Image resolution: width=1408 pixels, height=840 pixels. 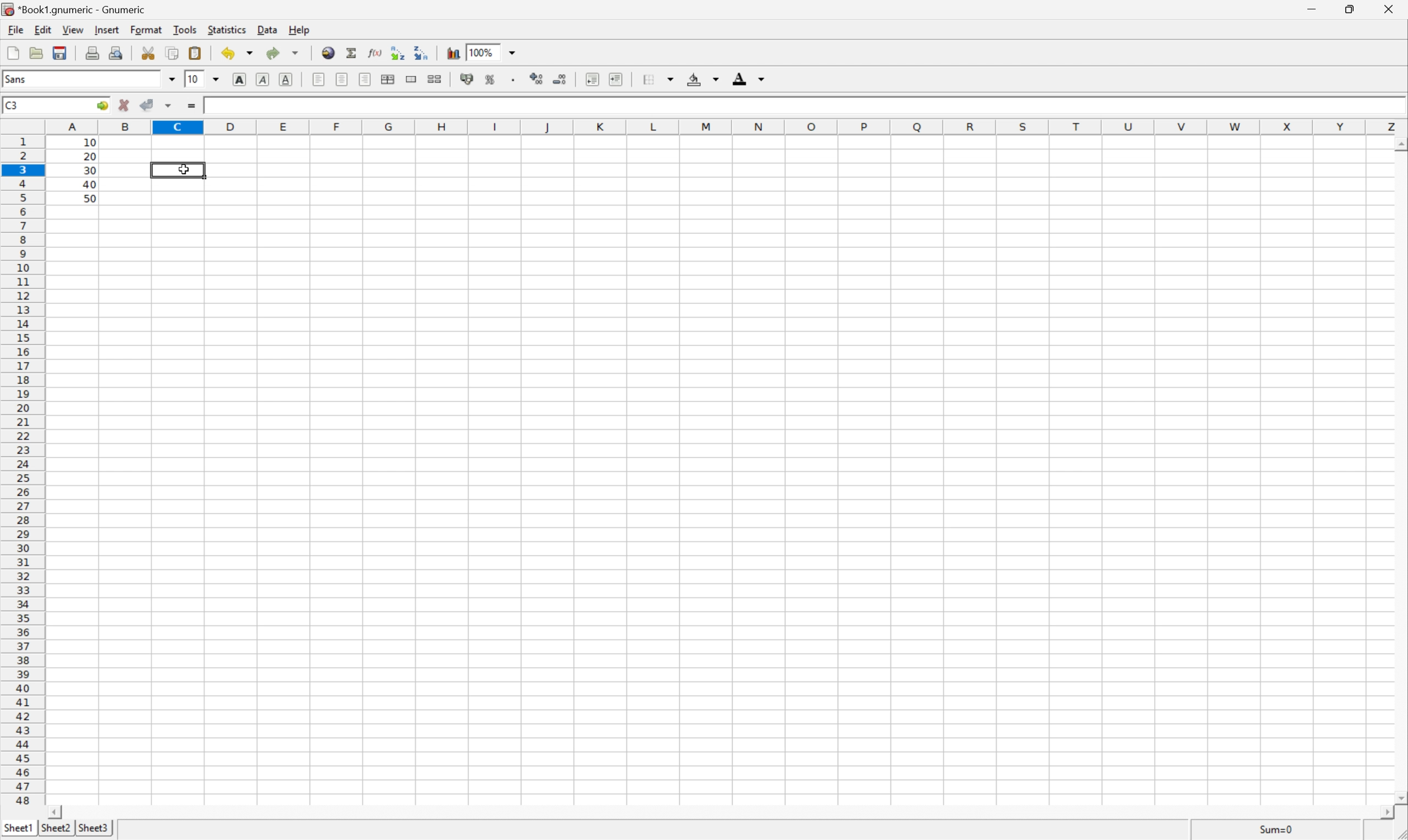 I want to click on Drop down, so click(x=216, y=80).